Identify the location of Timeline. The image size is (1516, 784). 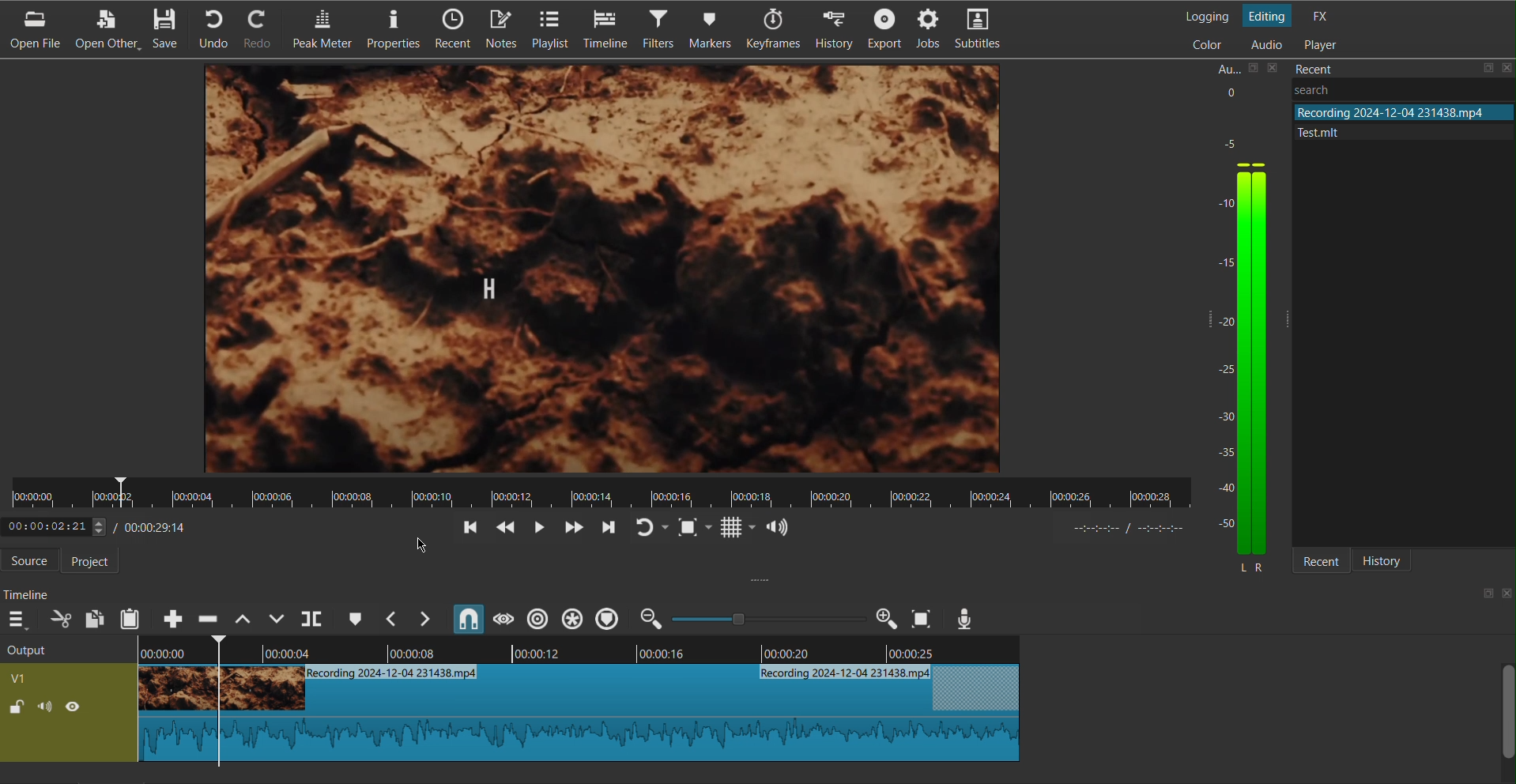
(605, 30).